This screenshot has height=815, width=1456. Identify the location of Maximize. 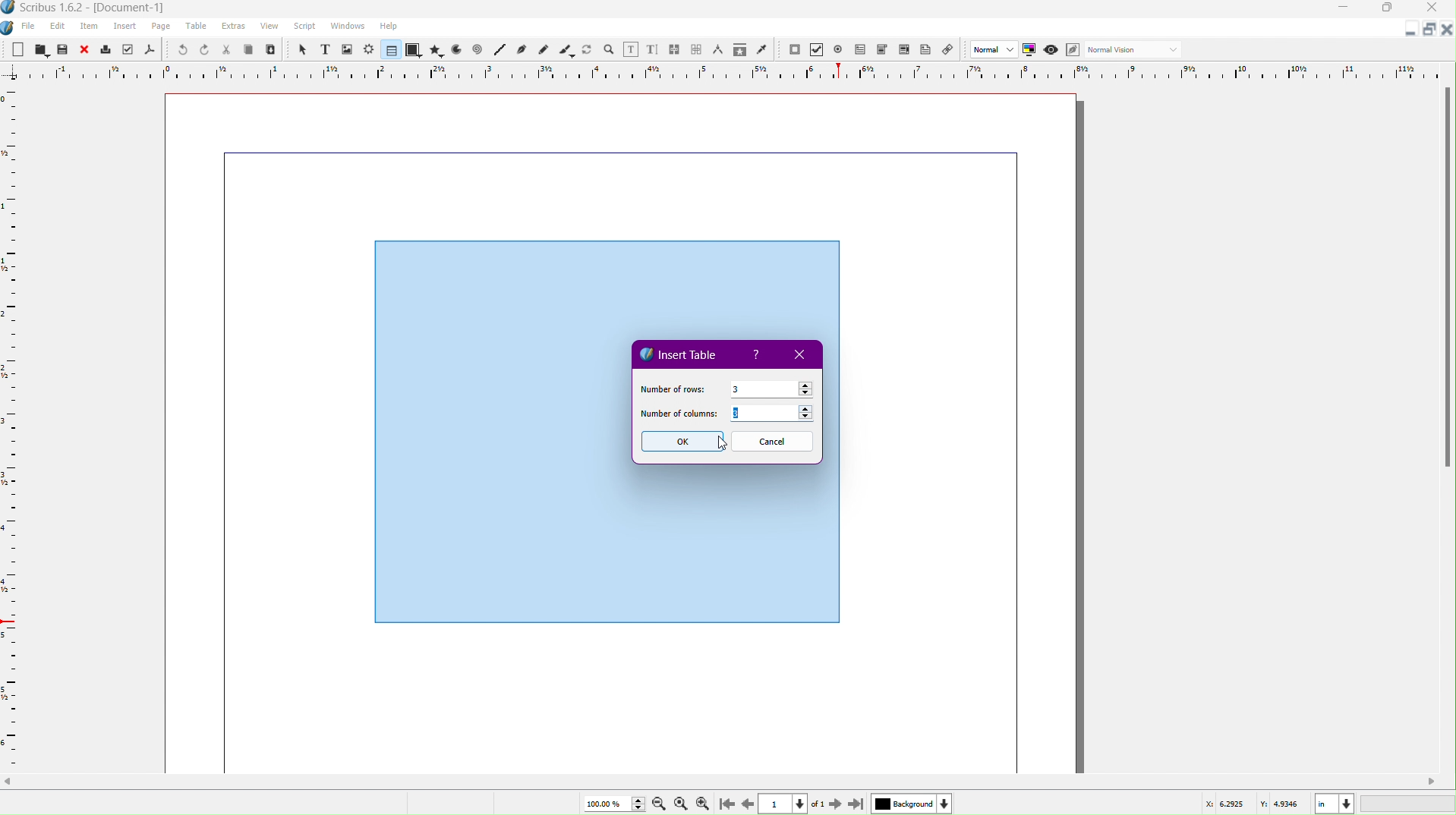
(1428, 30).